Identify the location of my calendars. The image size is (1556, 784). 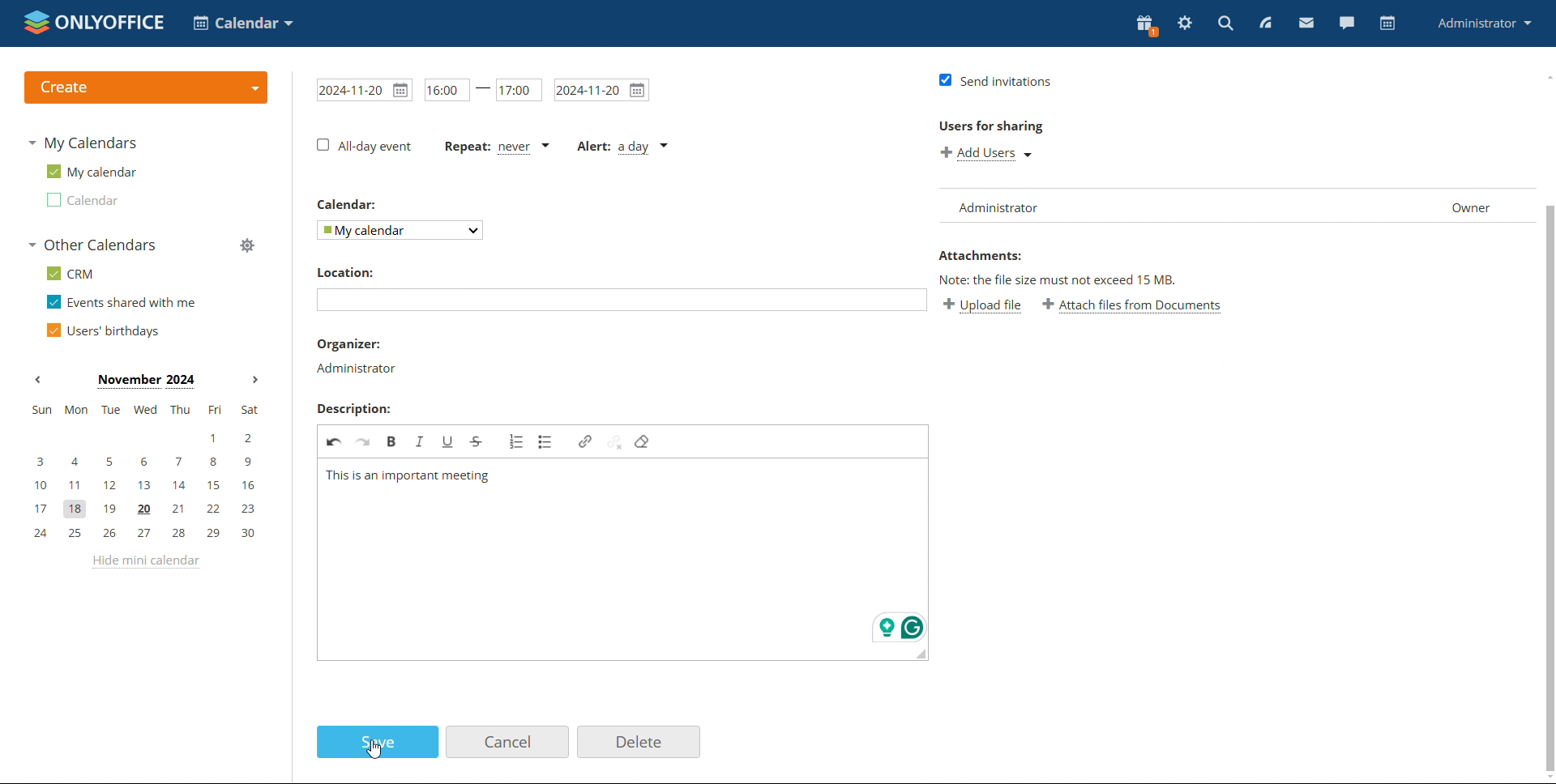
(83, 143).